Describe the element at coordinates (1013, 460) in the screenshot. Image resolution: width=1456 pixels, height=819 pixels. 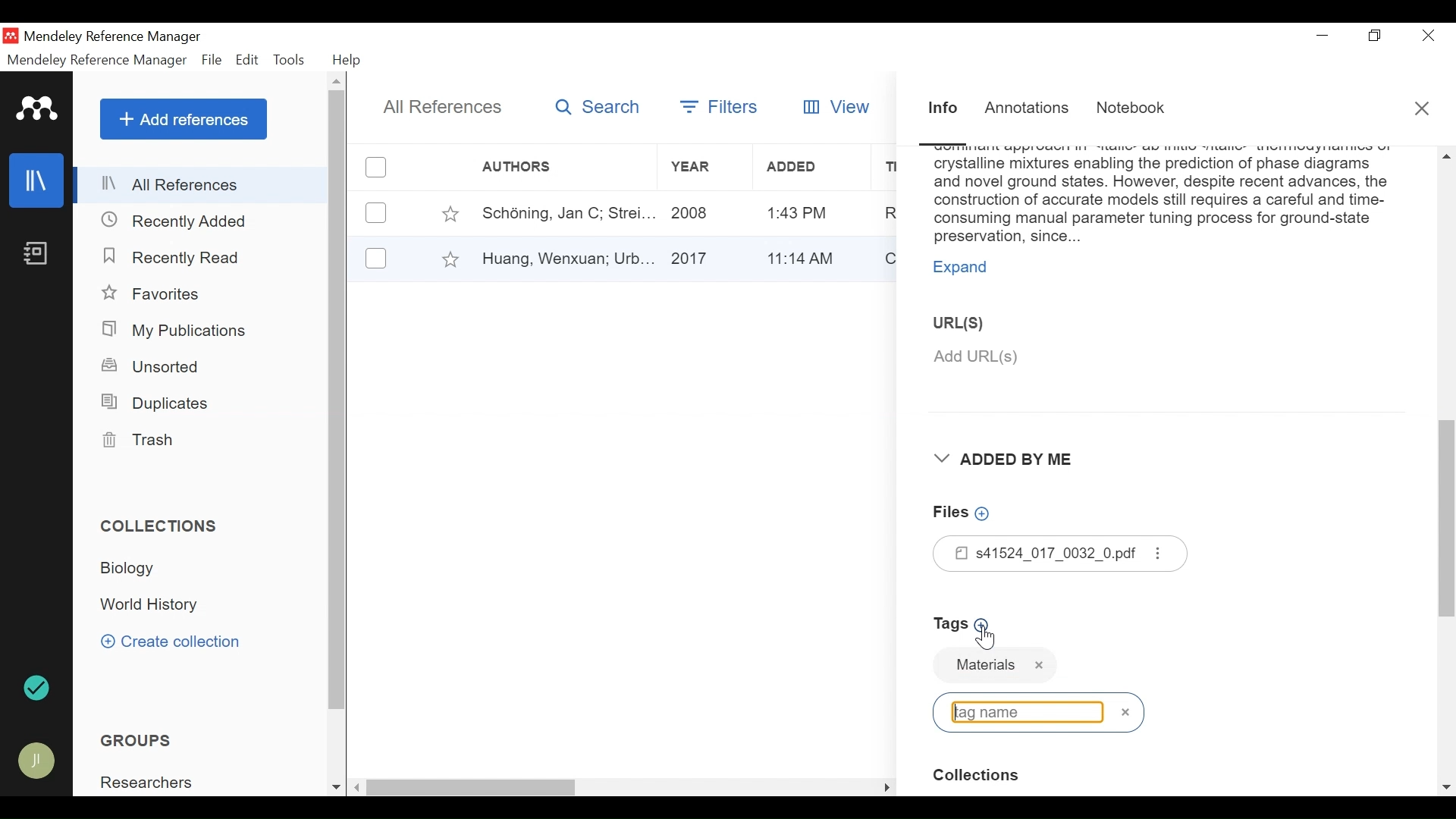
I see `Added By Me` at that location.